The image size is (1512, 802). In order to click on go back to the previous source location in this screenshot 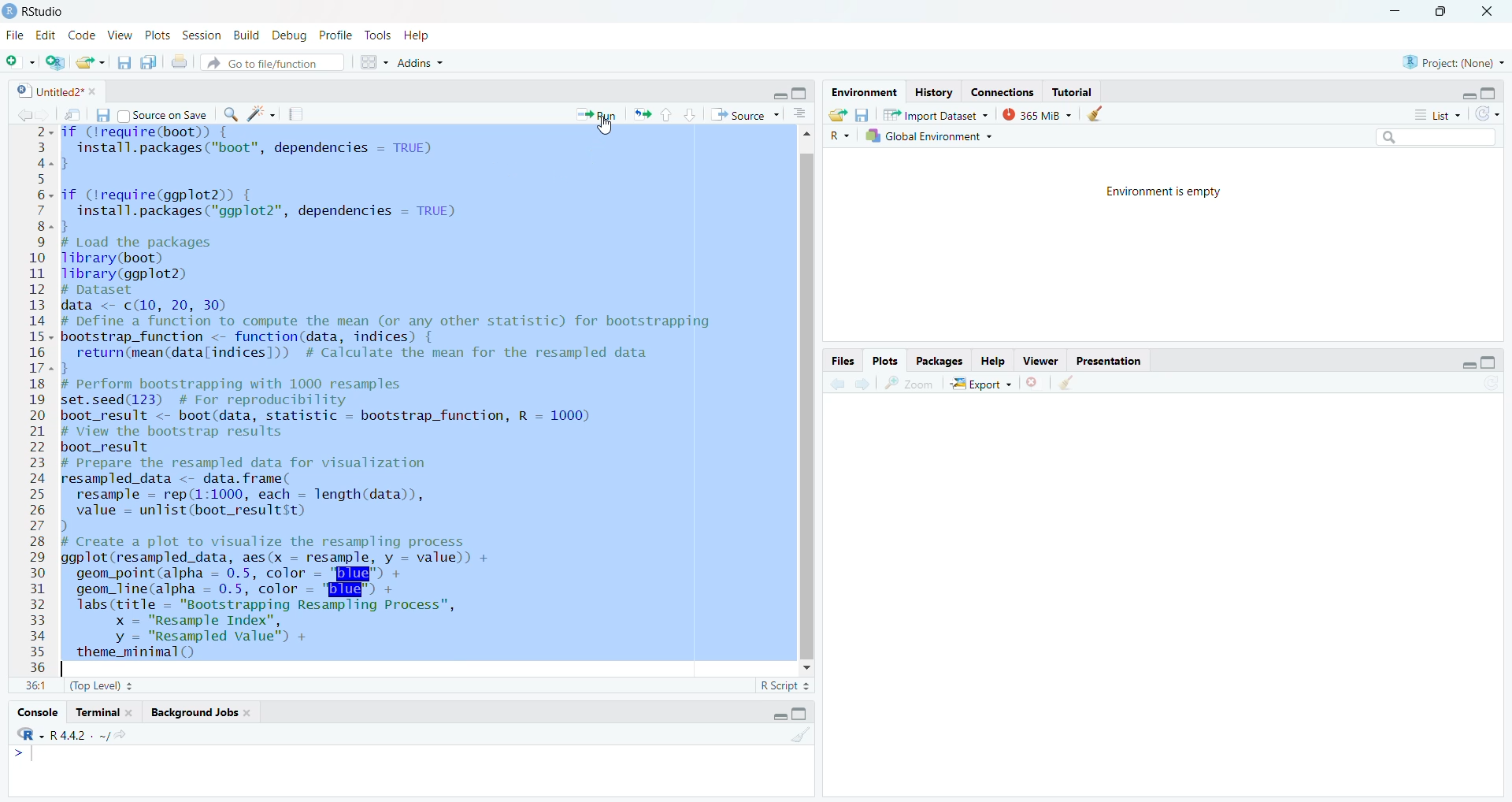, I will do `click(20, 114)`.